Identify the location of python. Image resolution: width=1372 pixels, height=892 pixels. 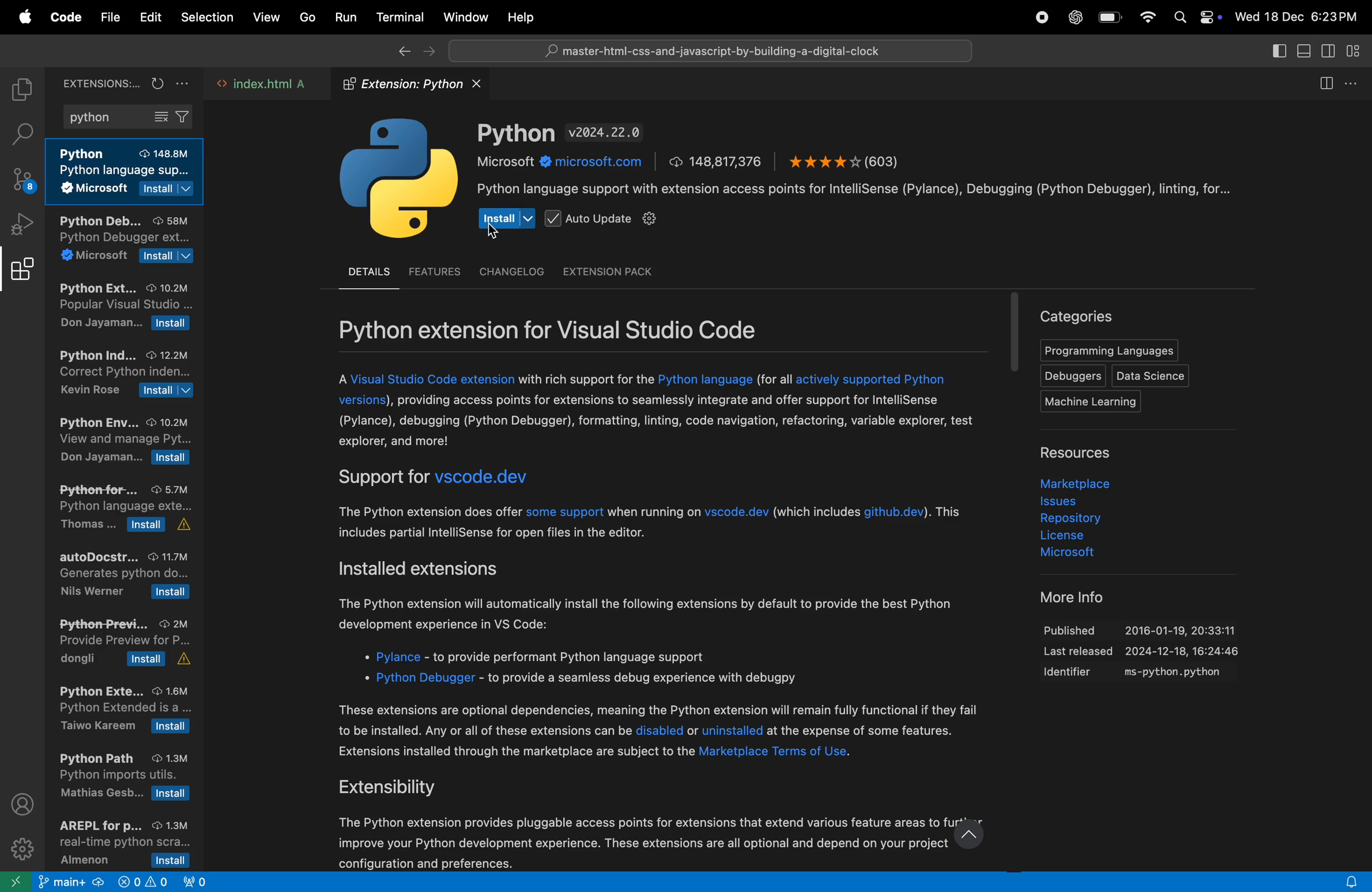
(127, 118).